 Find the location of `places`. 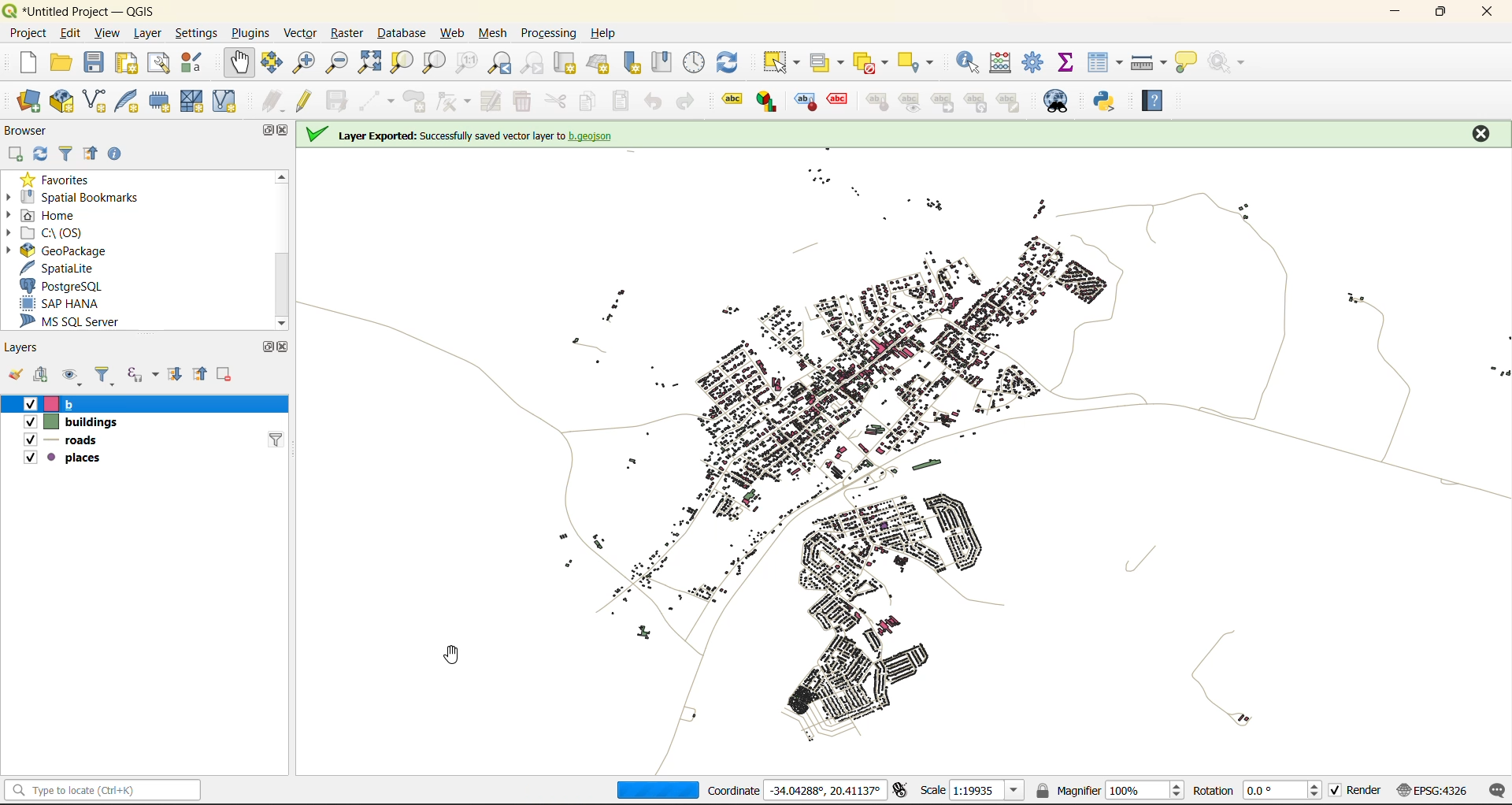

places is located at coordinates (56, 457).